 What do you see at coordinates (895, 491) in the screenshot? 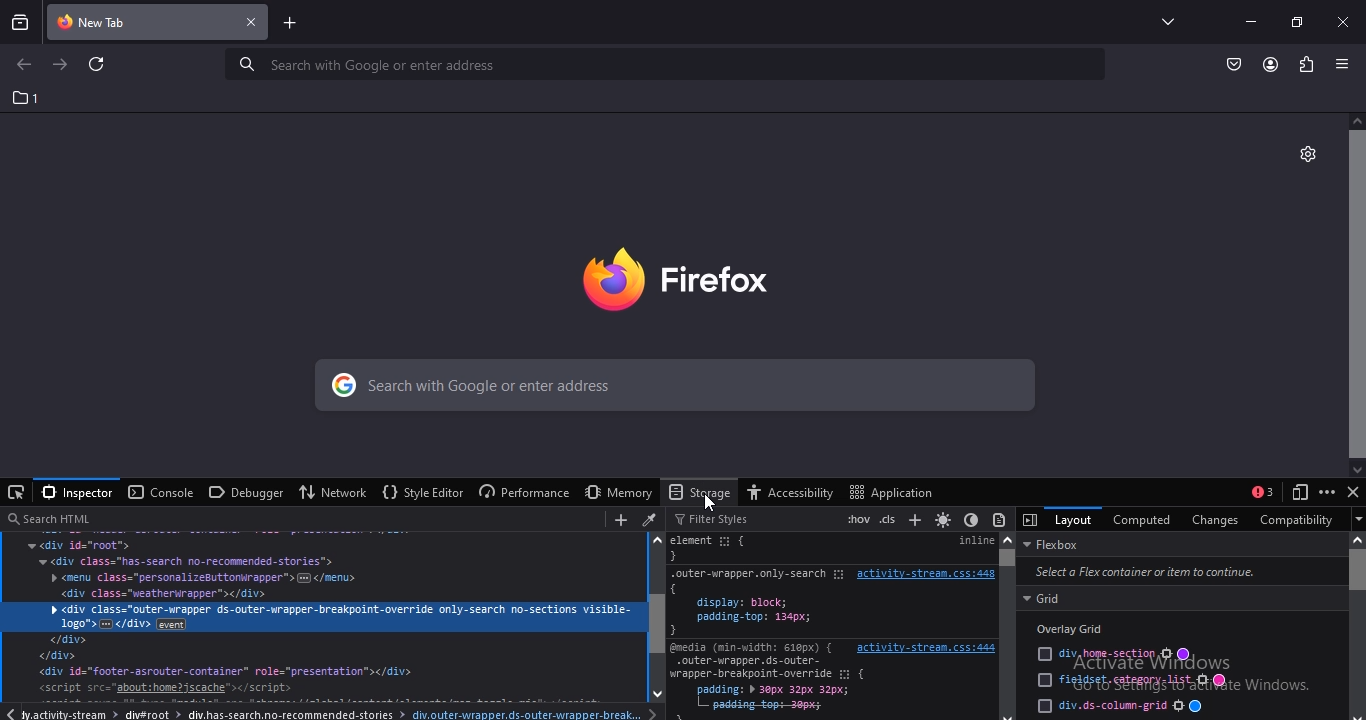
I see `application` at bounding box center [895, 491].